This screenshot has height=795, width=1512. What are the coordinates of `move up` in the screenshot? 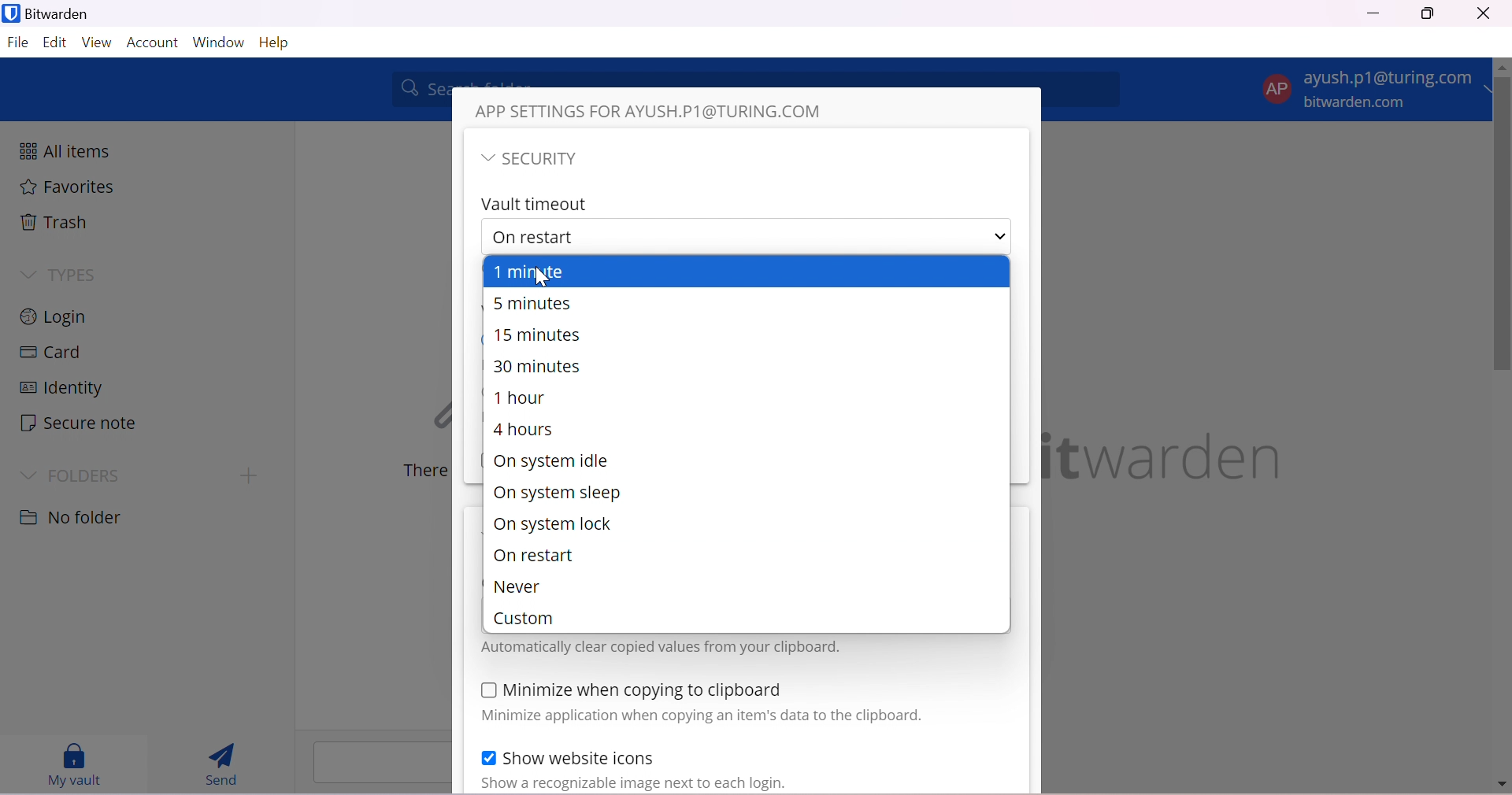 It's located at (1503, 68).